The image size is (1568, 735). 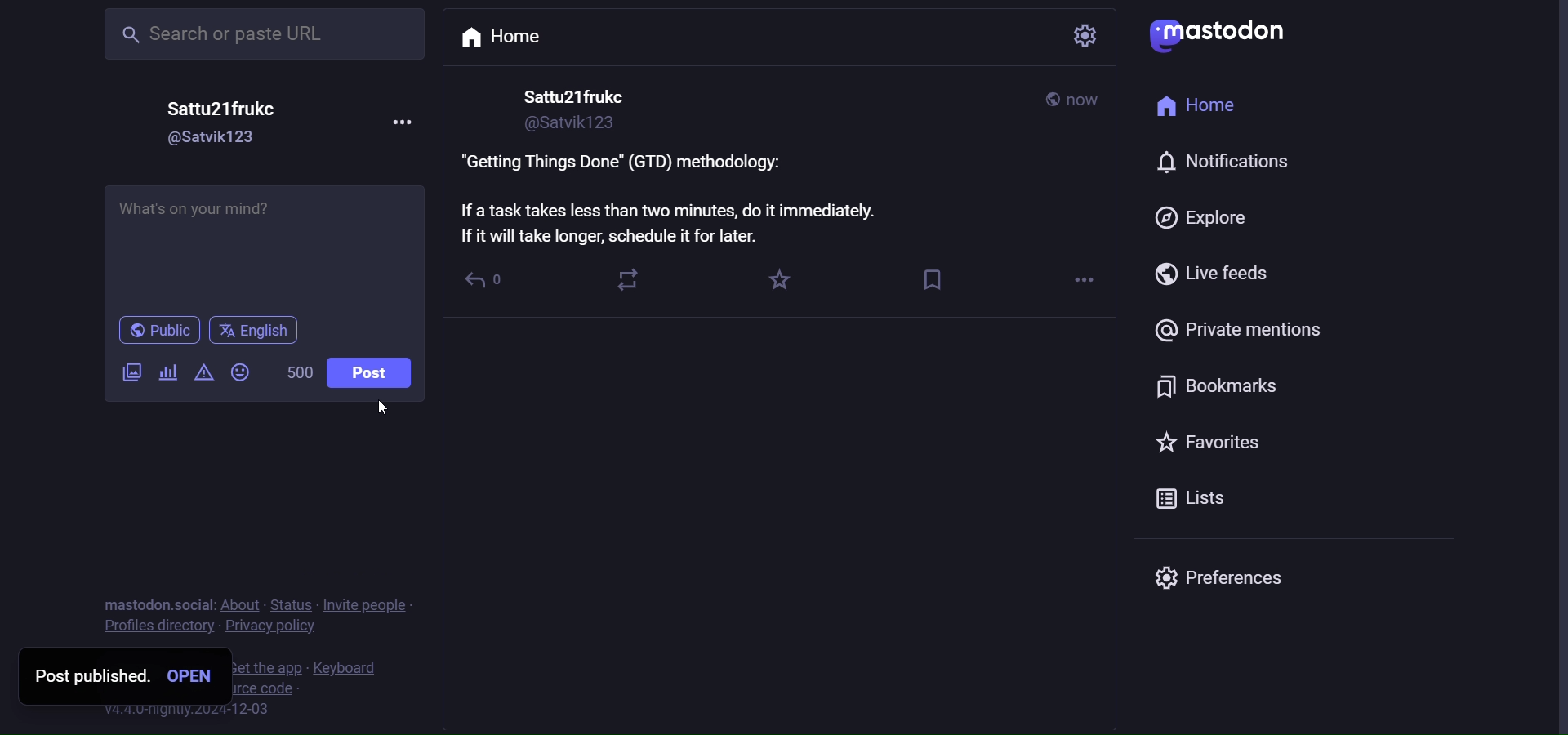 What do you see at coordinates (1210, 104) in the screenshot?
I see `home` at bounding box center [1210, 104].